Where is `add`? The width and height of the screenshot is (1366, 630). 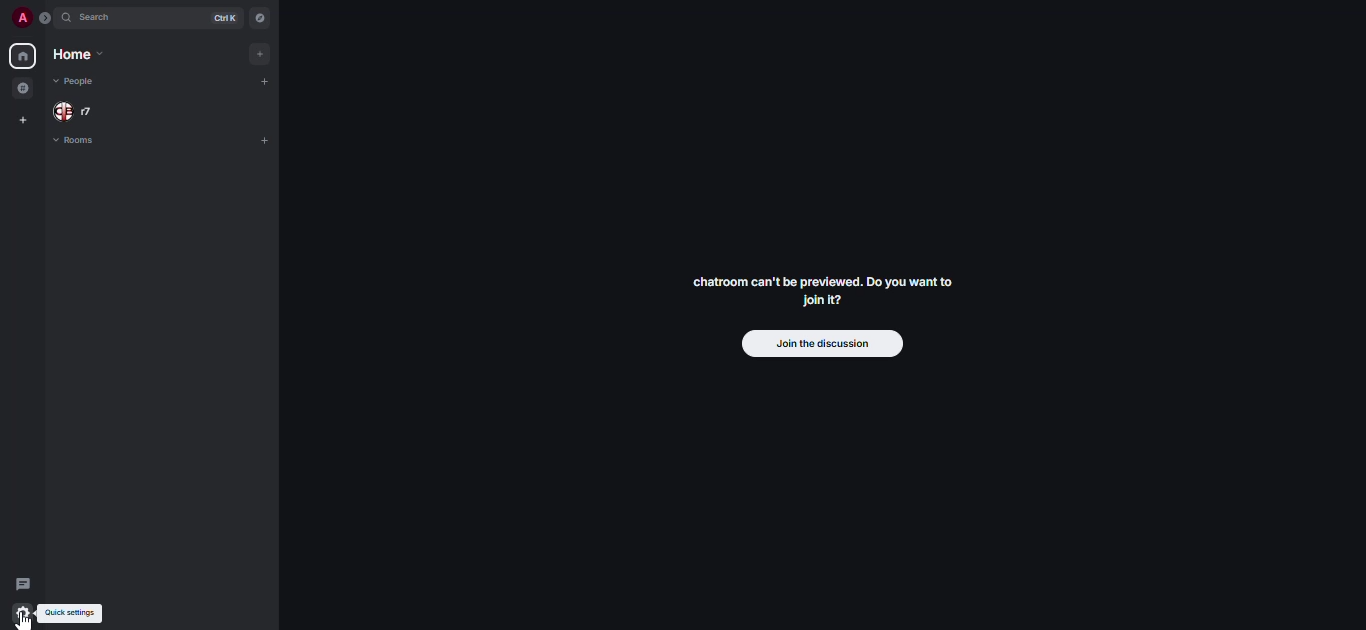
add is located at coordinates (268, 83).